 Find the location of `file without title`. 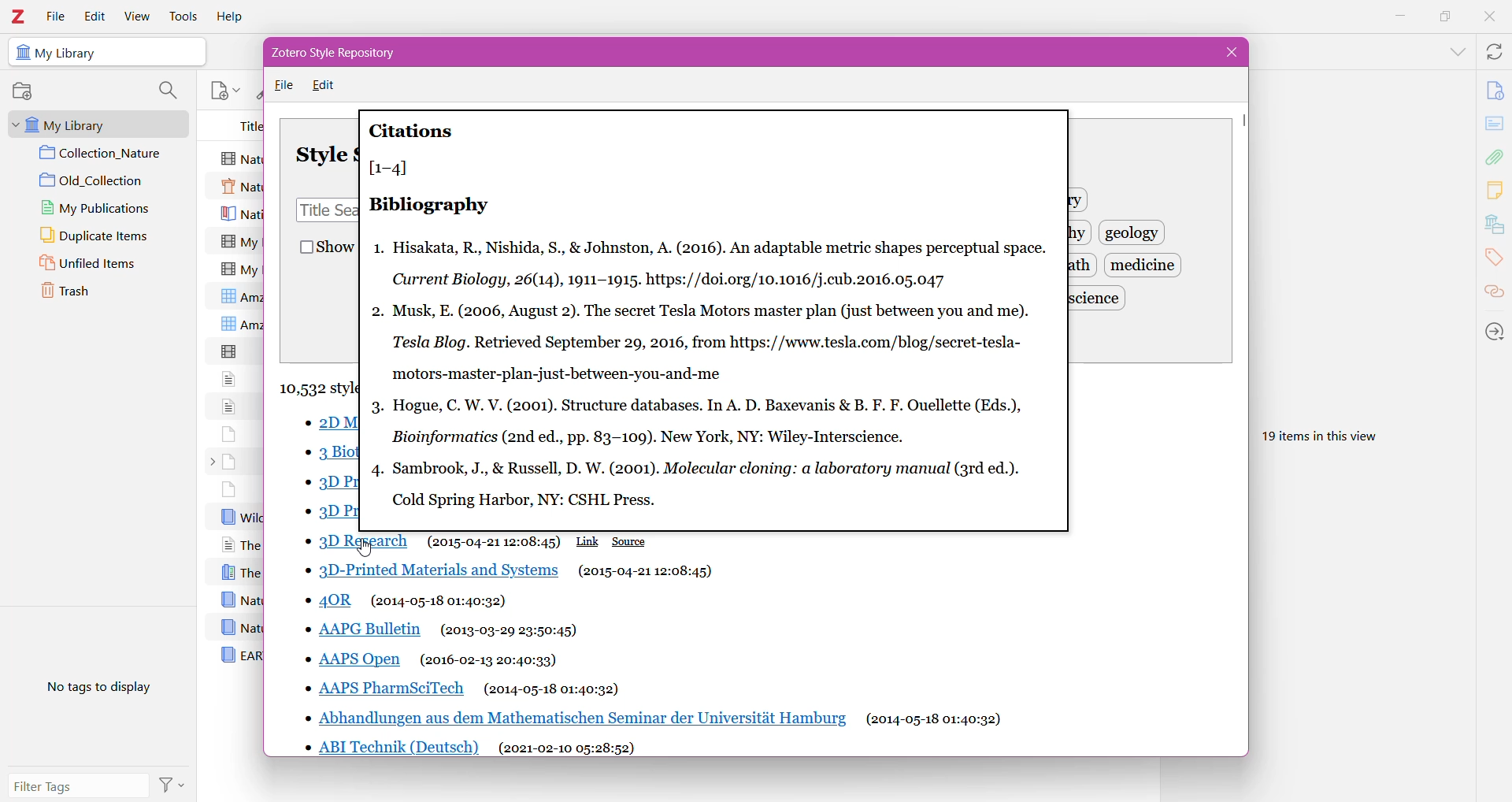

file without title is located at coordinates (230, 462).